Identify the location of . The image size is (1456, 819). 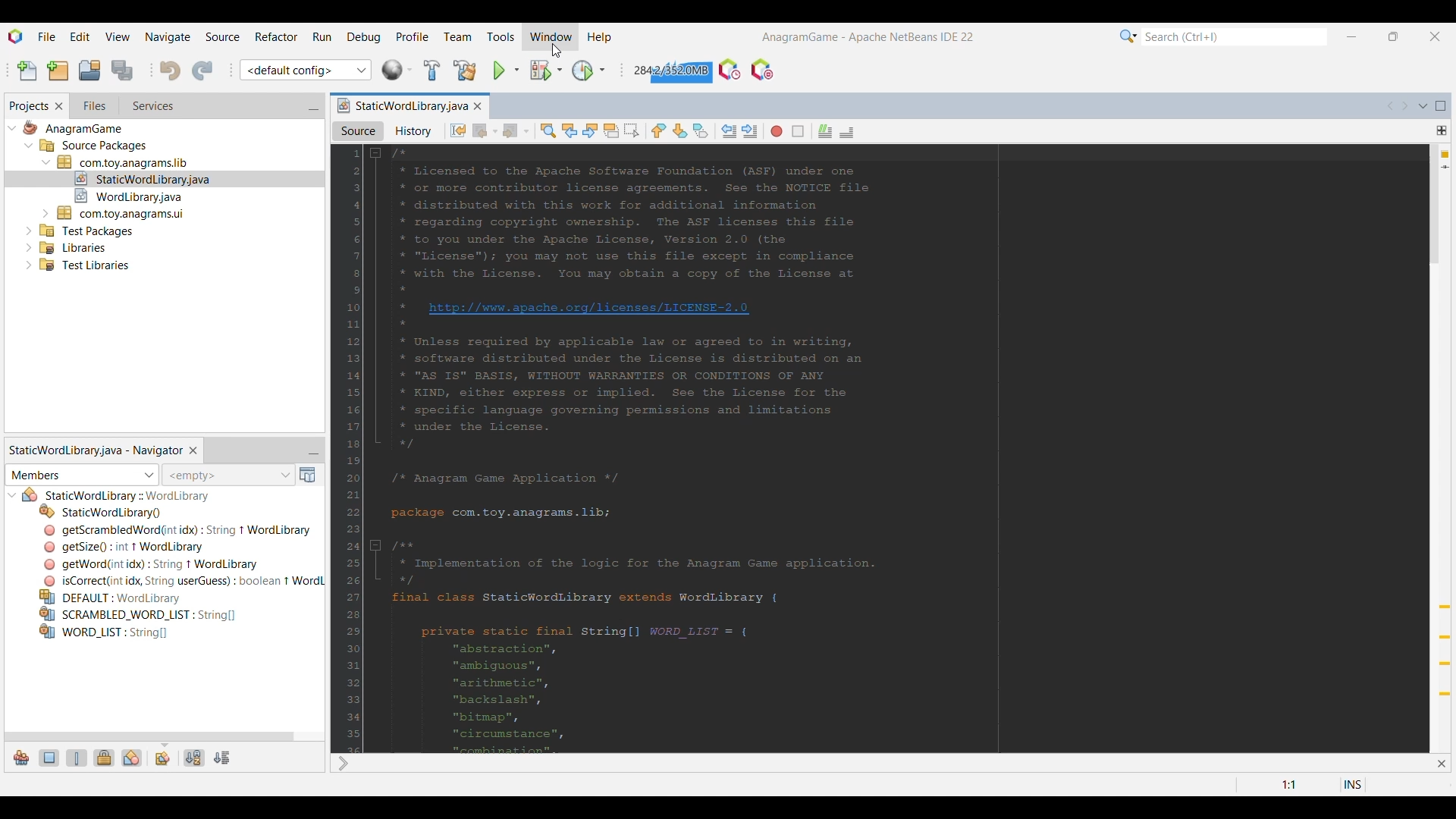
(135, 194).